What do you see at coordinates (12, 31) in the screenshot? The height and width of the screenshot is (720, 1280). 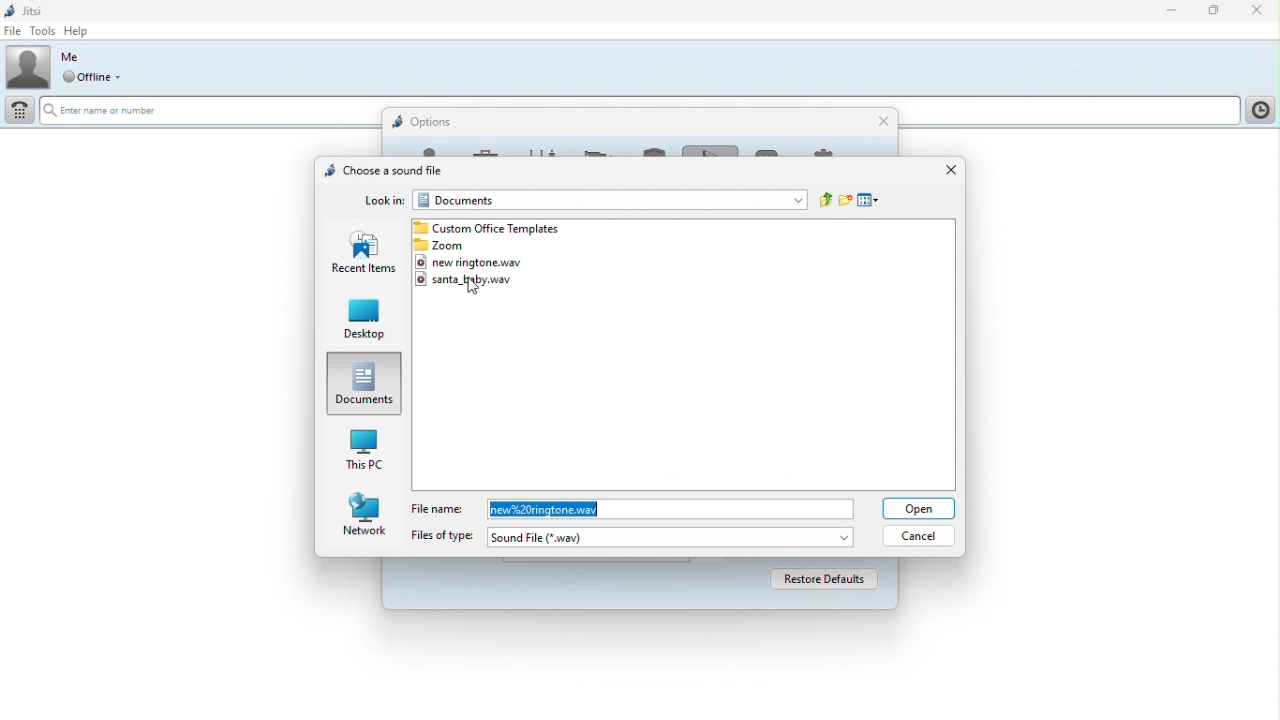 I see `File` at bounding box center [12, 31].